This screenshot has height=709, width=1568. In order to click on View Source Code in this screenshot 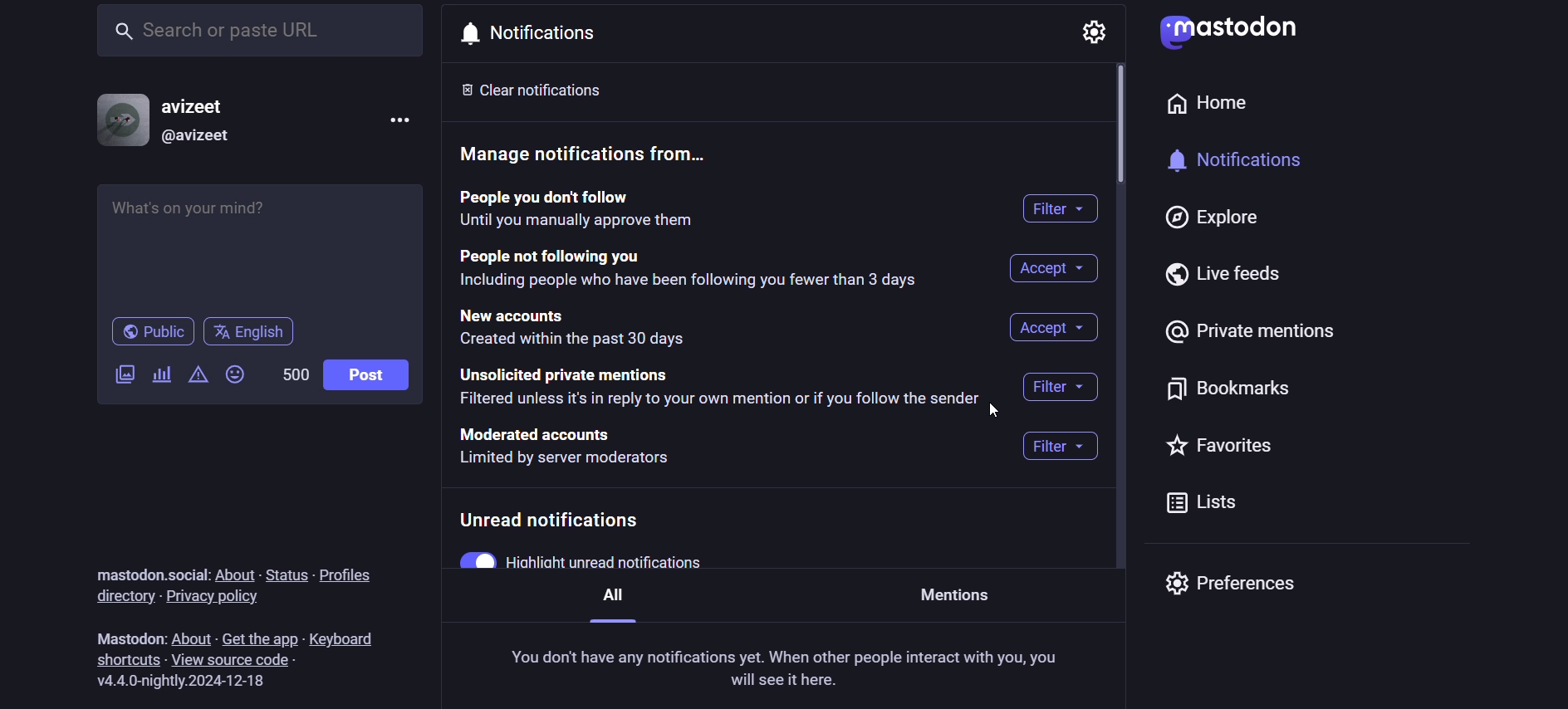, I will do `click(238, 660)`.